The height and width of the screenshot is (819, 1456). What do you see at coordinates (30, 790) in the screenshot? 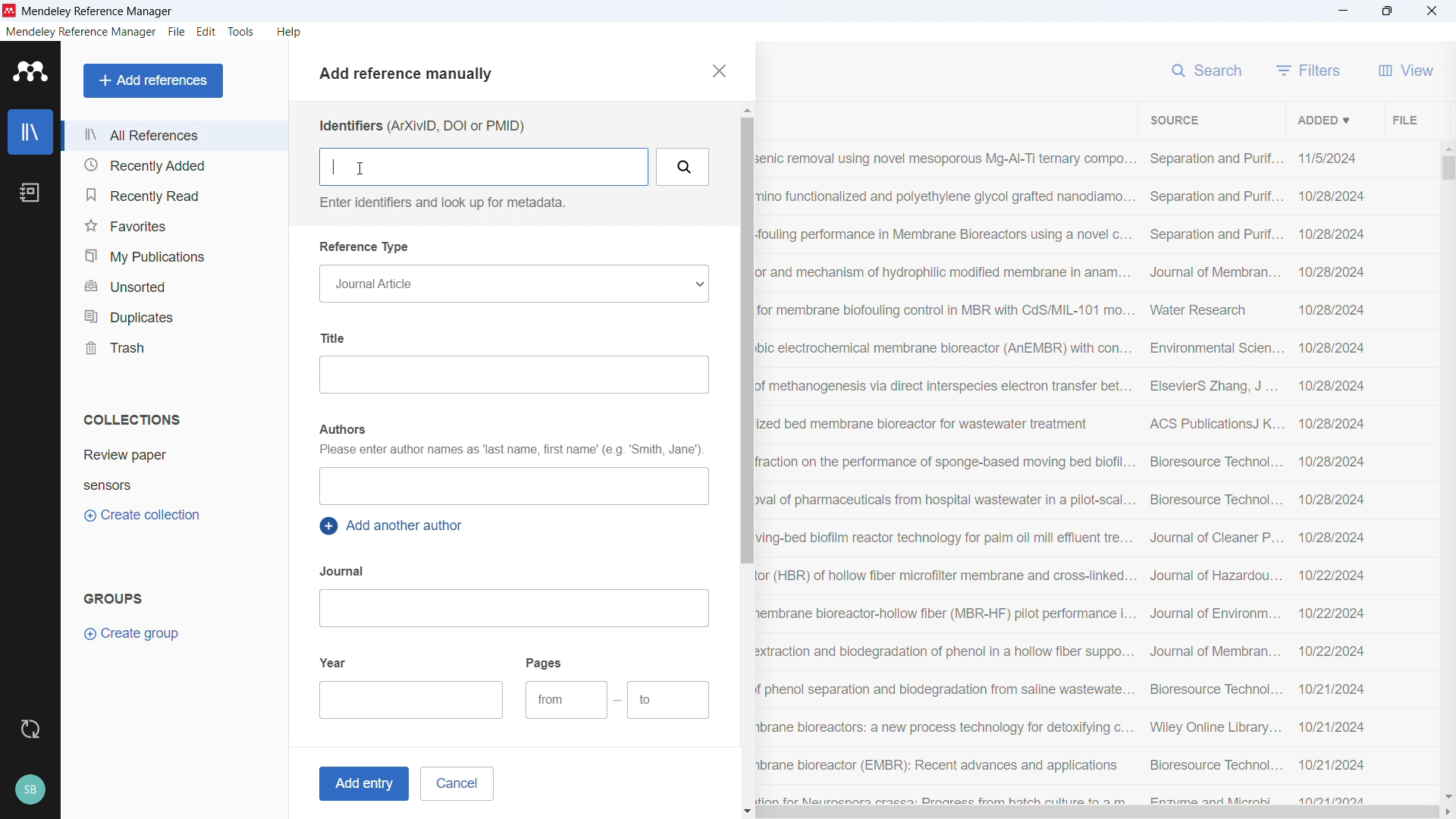
I see `Profile ` at bounding box center [30, 790].